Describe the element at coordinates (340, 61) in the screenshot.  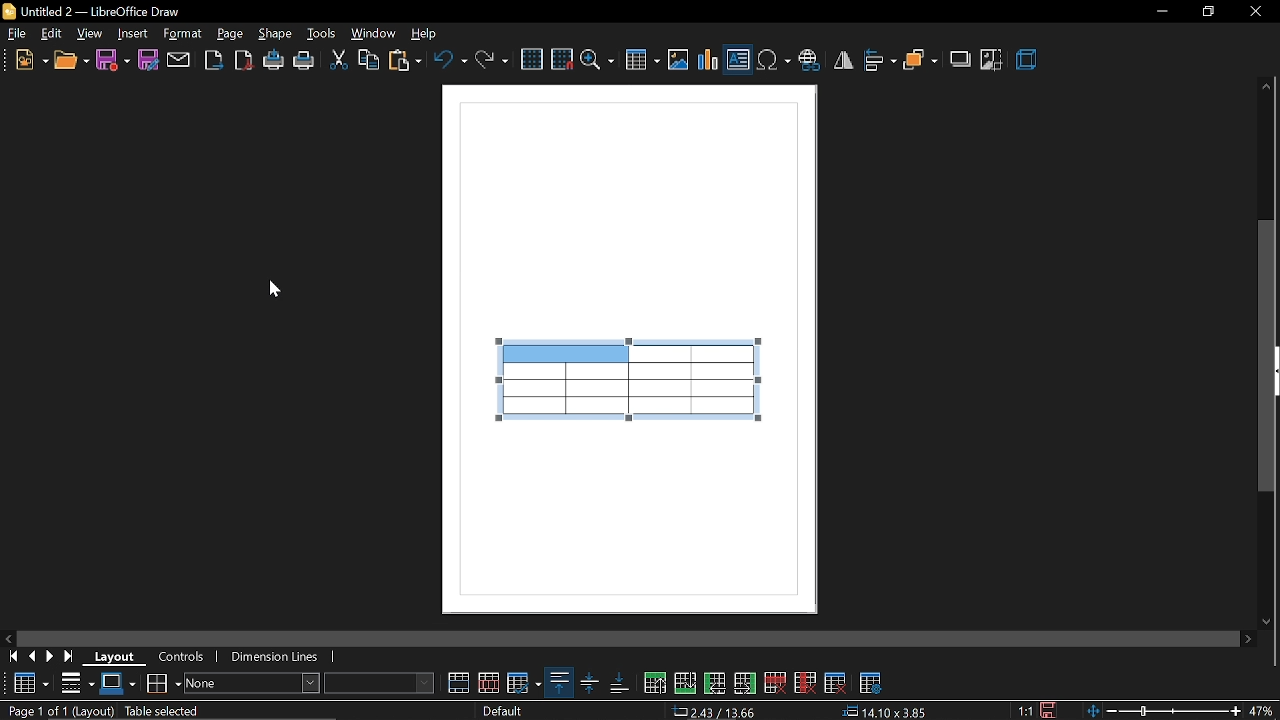
I see `cut ` at that location.